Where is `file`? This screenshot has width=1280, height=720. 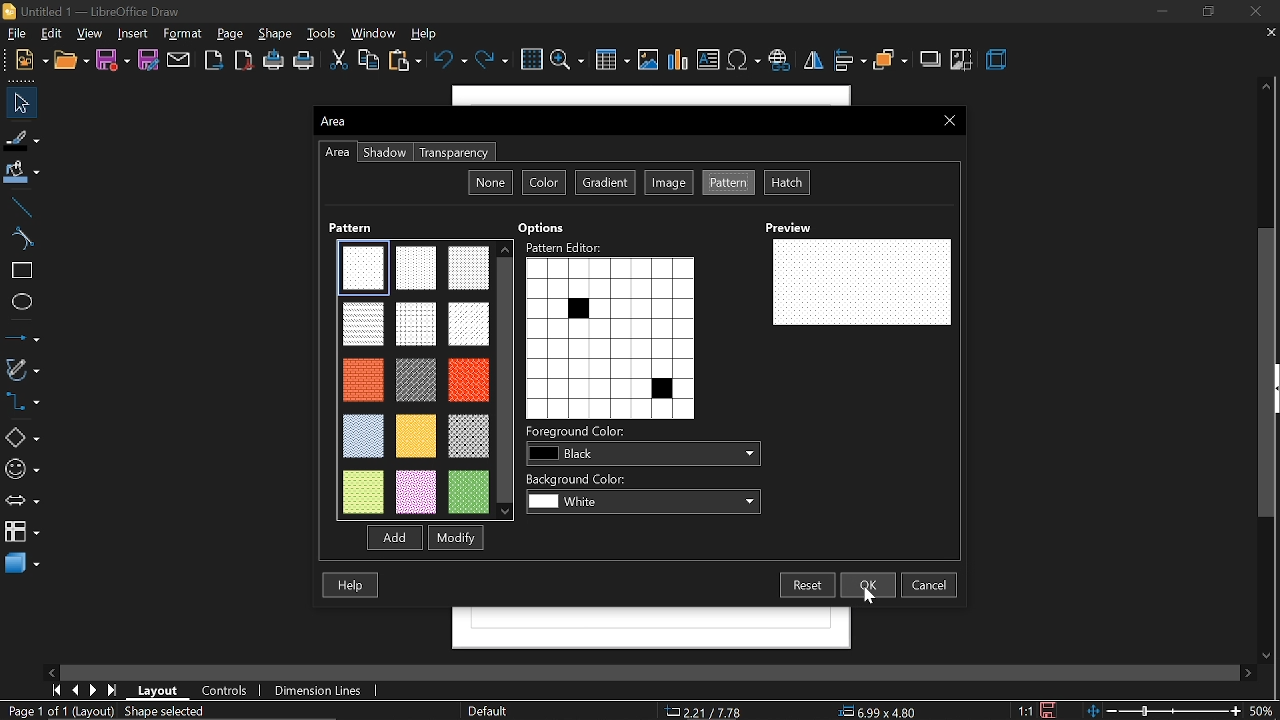 file is located at coordinates (15, 33).